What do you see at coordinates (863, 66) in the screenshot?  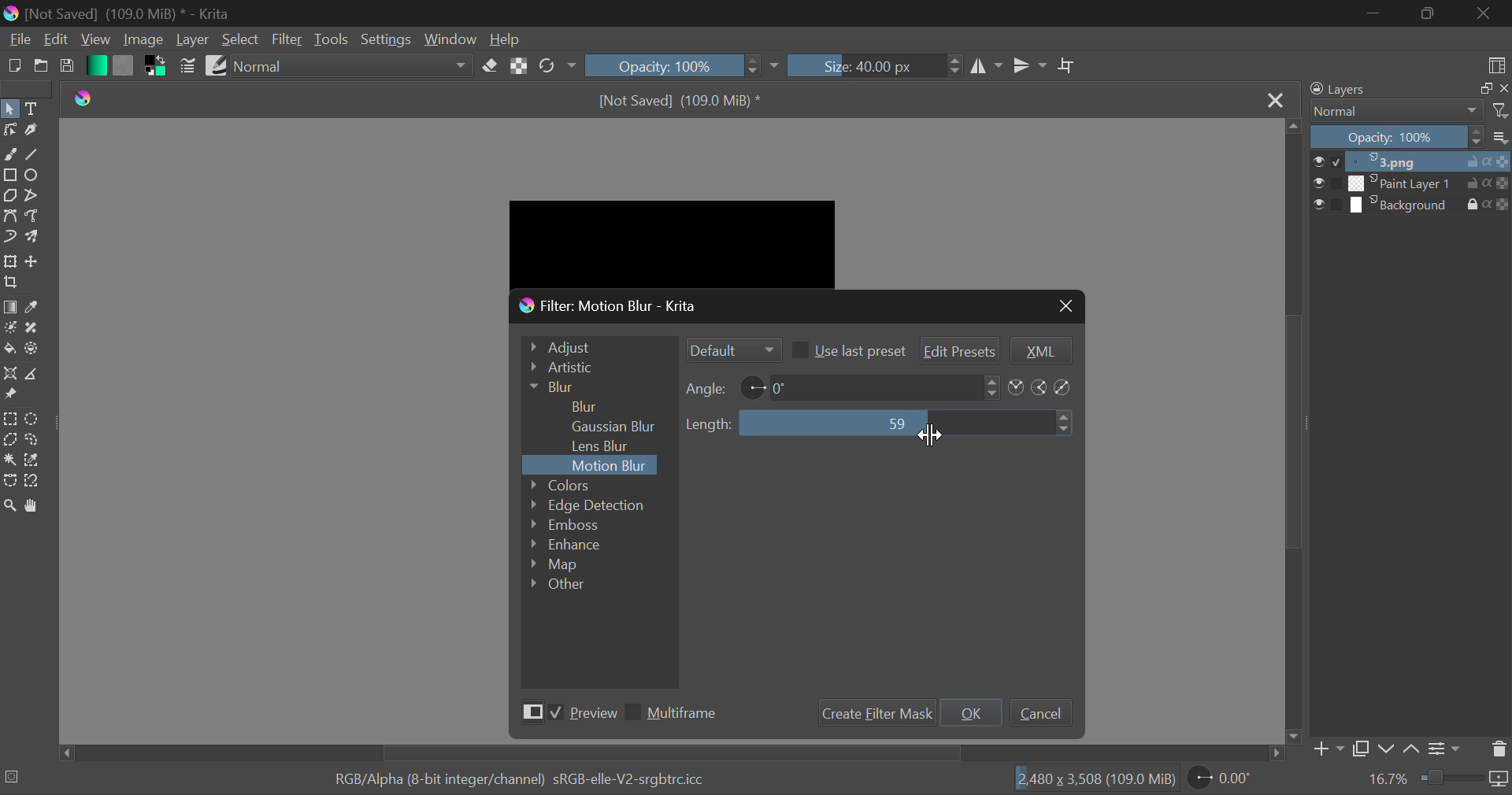 I see `Size: 40.00 px` at bounding box center [863, 66].